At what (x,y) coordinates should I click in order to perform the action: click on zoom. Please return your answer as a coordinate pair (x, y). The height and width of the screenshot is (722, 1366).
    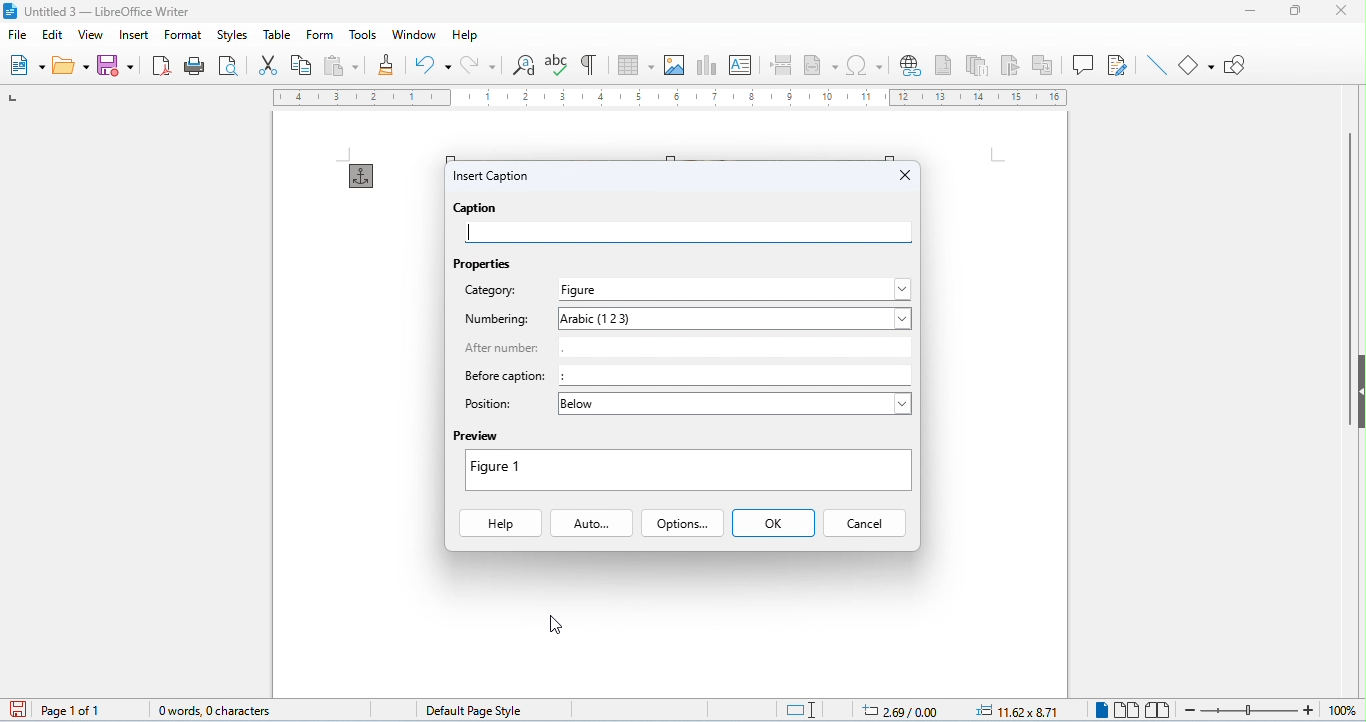
    Looking at the image, I should click on (1265, 709).